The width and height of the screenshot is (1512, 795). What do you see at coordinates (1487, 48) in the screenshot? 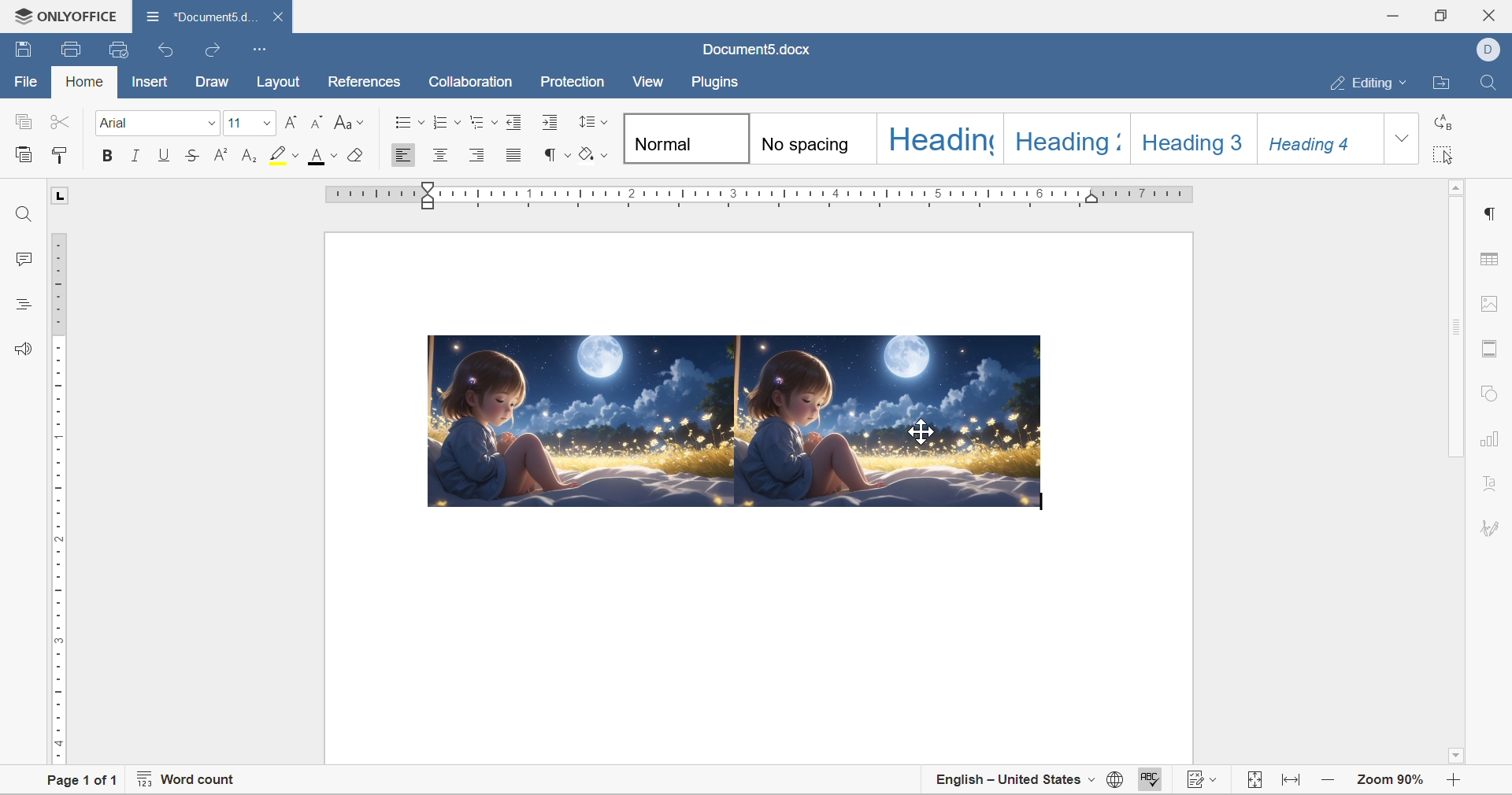
I see `dell` at bounding box center [1487, 48].